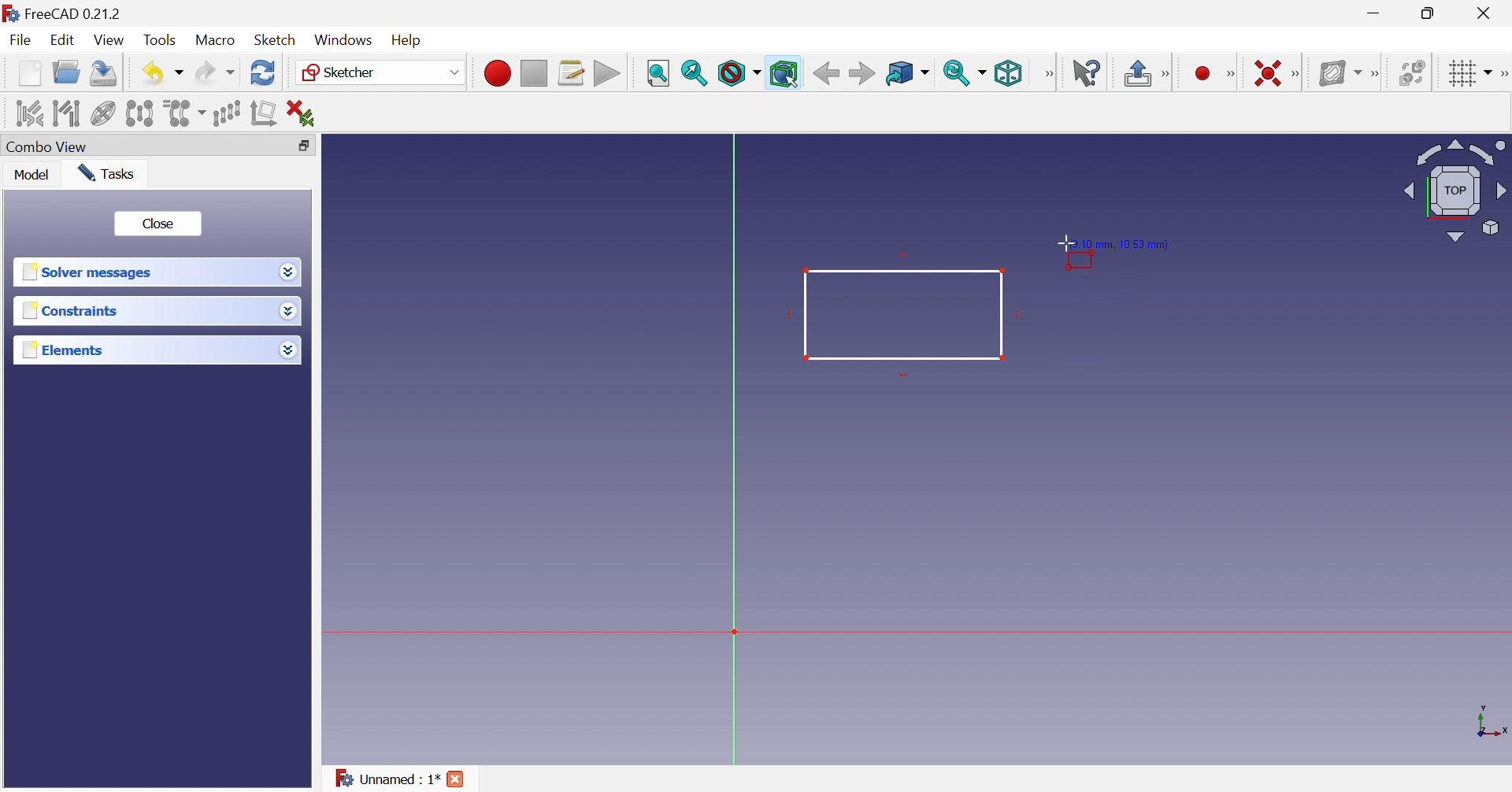 The height and width of the screenshot is (792, 1512). Describe the element at coordinates (29, 72) in the screenshot. I see `New` at that location.